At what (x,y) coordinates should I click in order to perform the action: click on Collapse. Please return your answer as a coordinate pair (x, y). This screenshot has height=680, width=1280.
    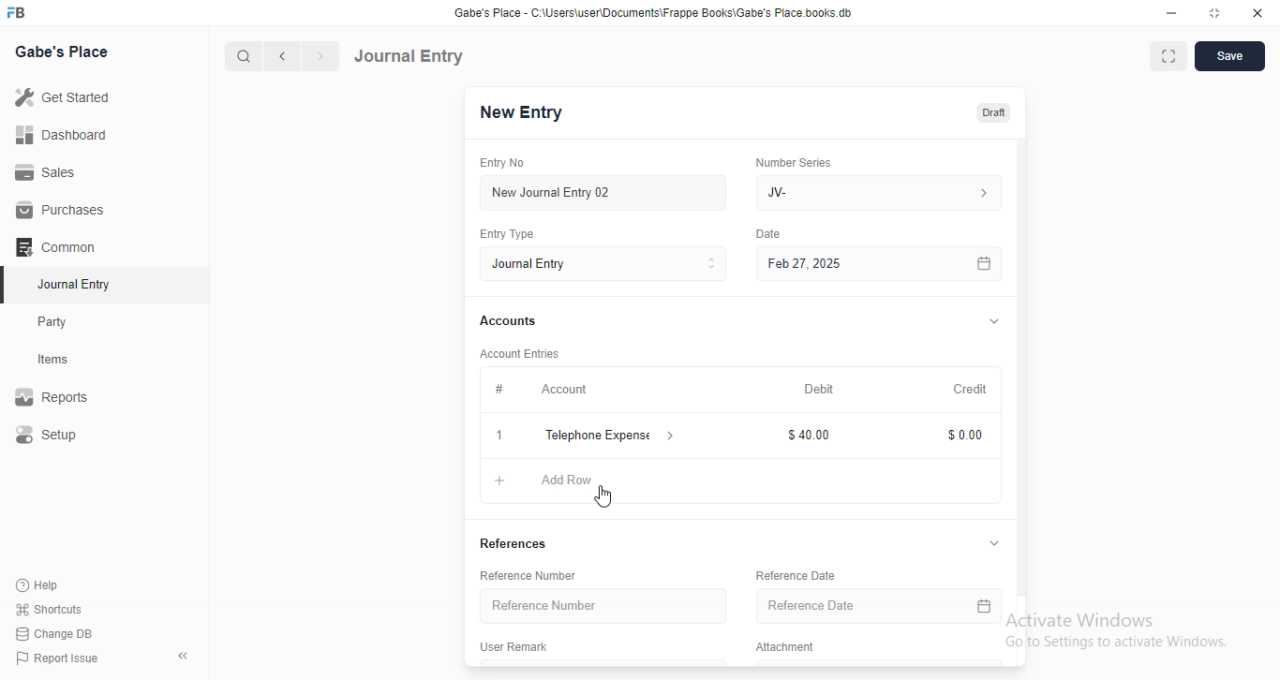
    Looking at the image, I should click on (184, 656).